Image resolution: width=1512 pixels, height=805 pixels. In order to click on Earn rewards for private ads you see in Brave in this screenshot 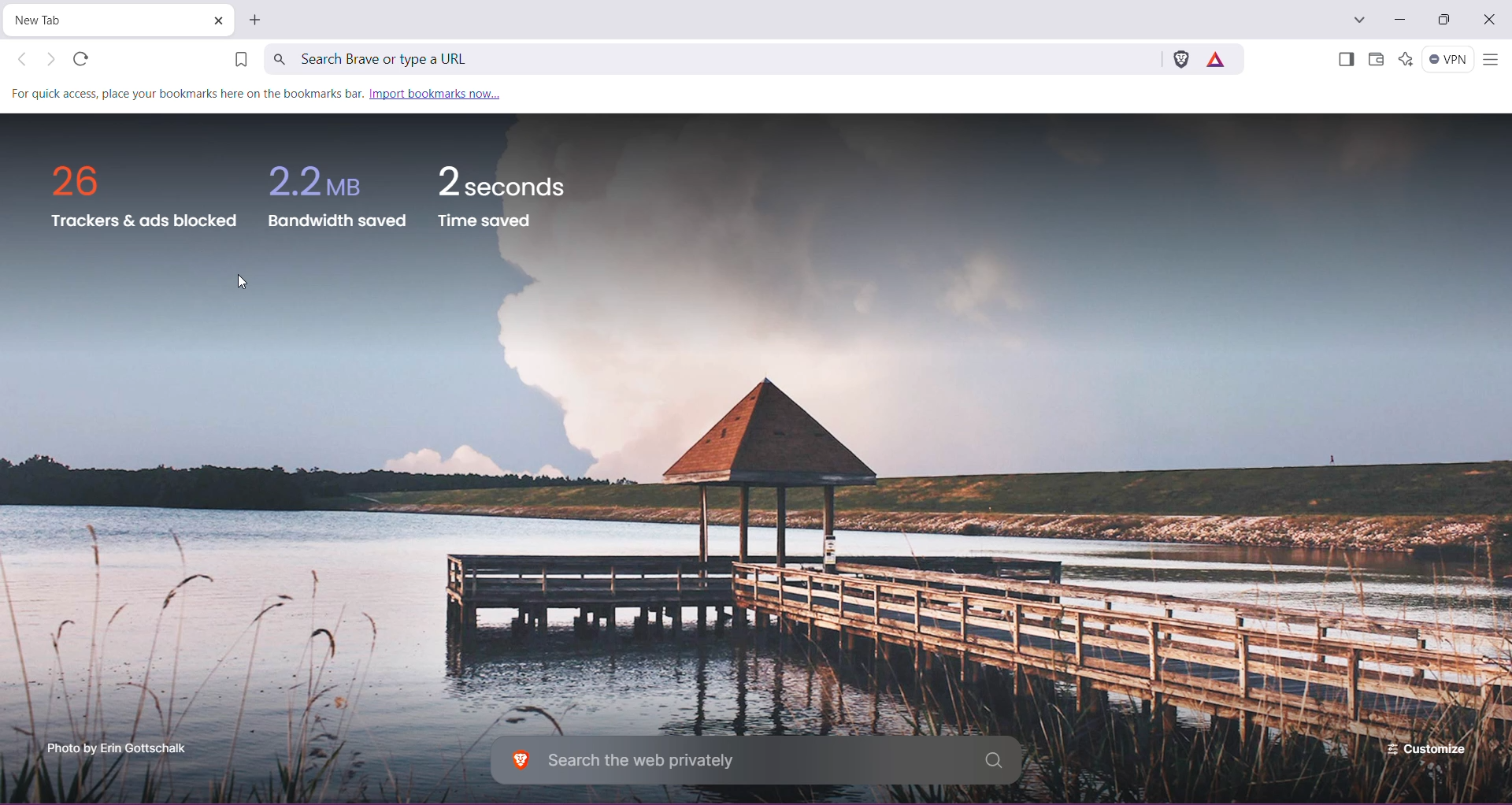, I will do `click(1217, 60)`.